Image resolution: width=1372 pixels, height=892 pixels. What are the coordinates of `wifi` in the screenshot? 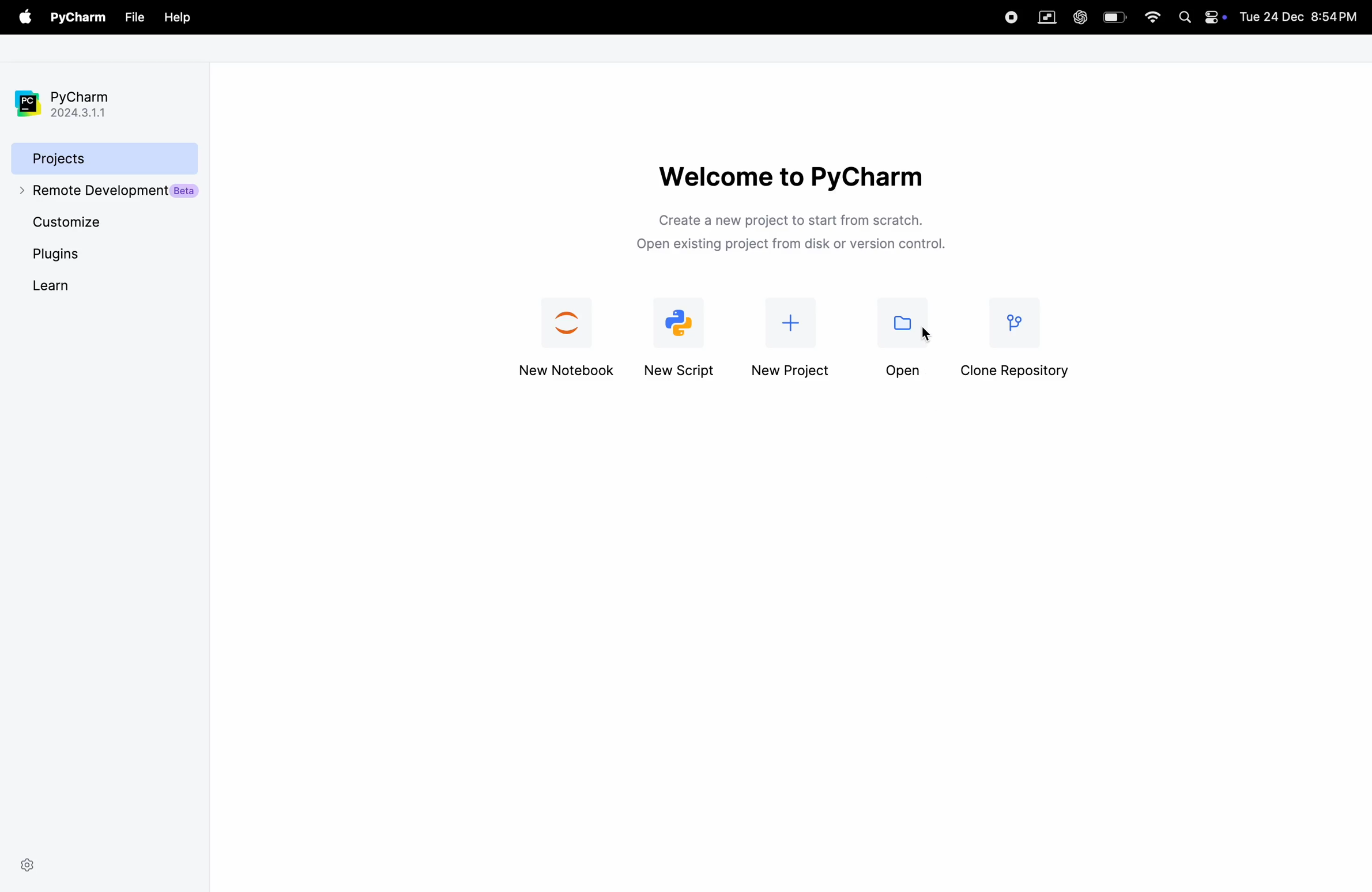 It's located at (1149, 18).